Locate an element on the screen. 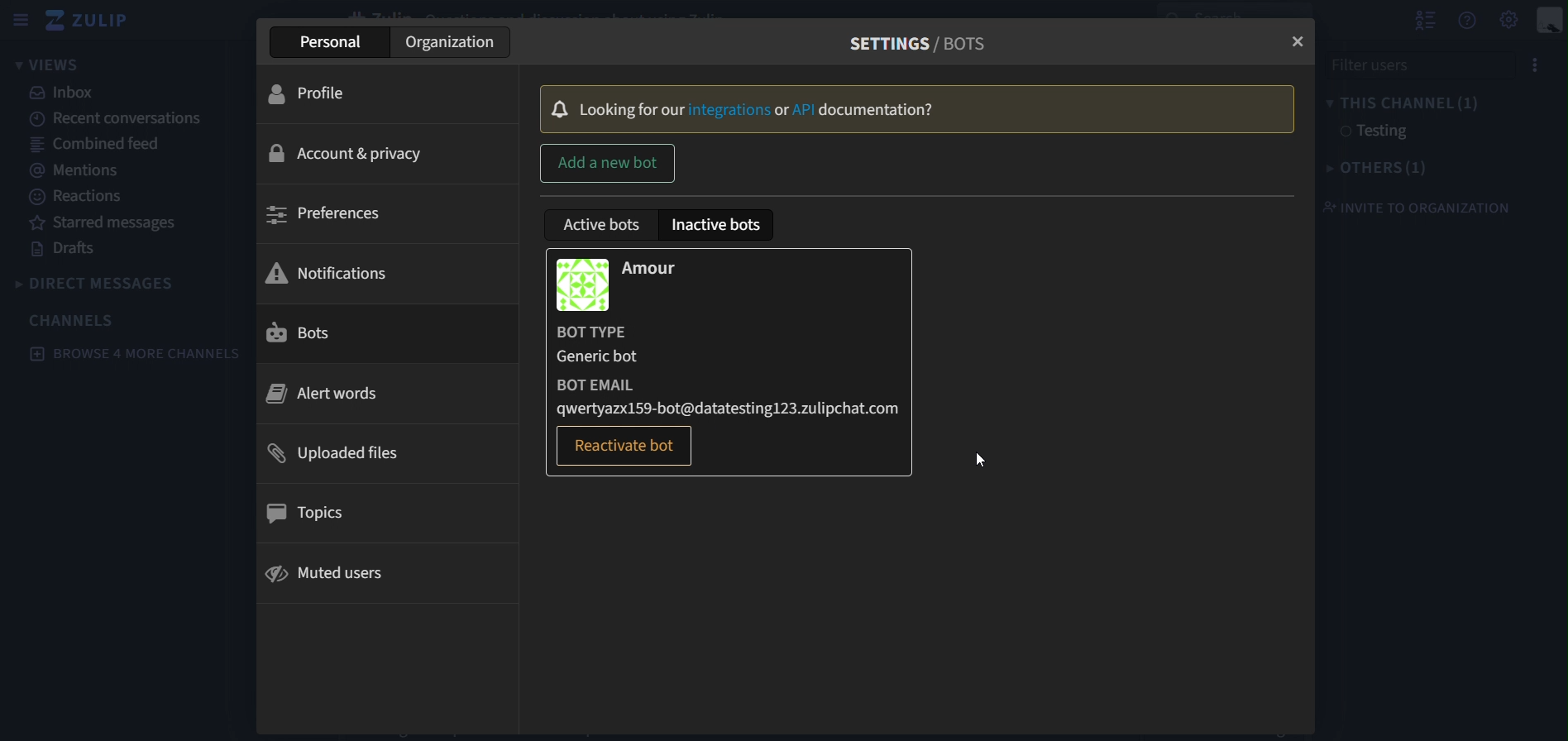 The image size is (1568, 741). Integrtions is located at coordinates (729, 110).